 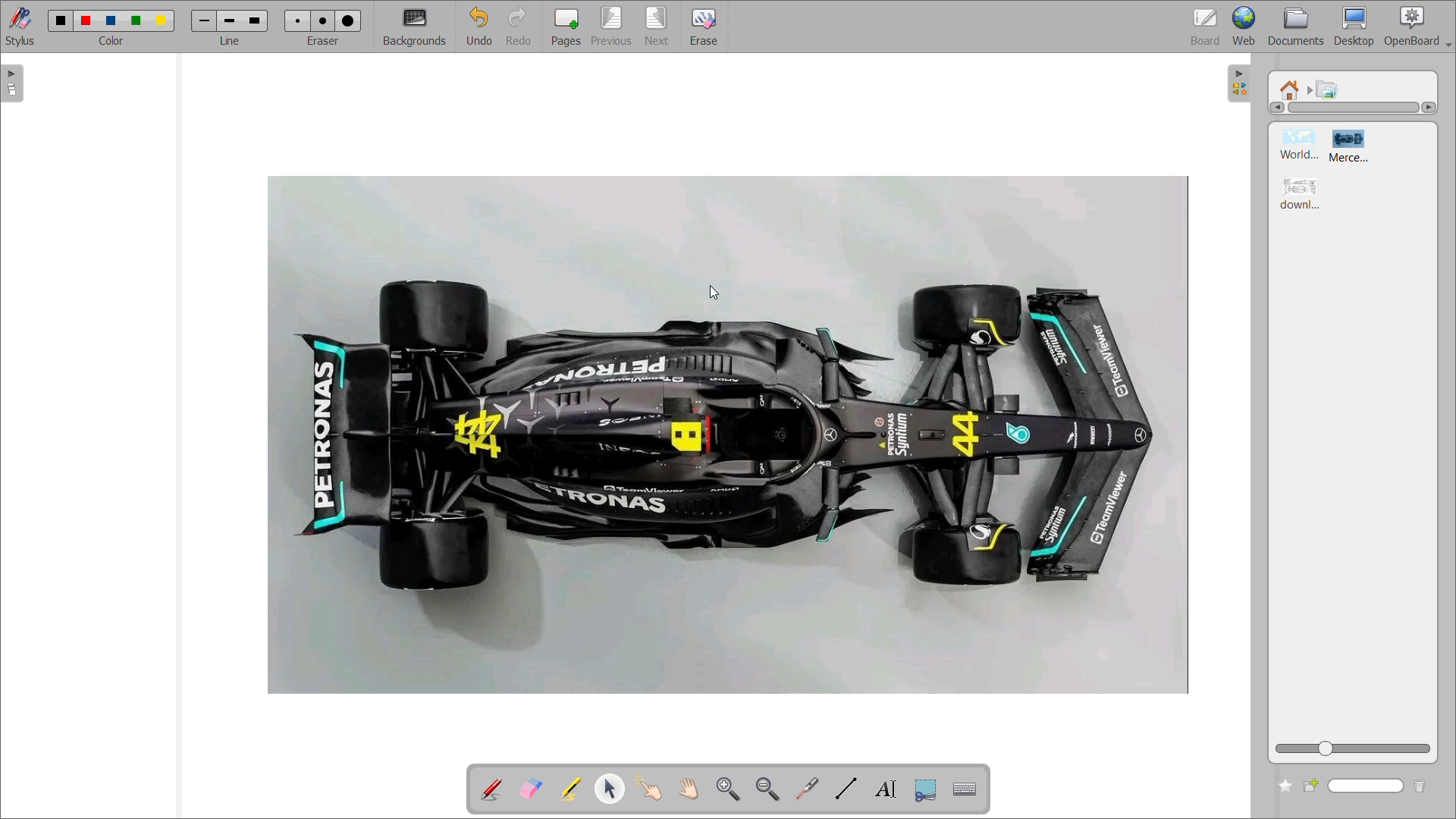 What do you see at coordinates (728, 787) in the screenshot?
I see `zoom in` at bounding box center [728, 787].